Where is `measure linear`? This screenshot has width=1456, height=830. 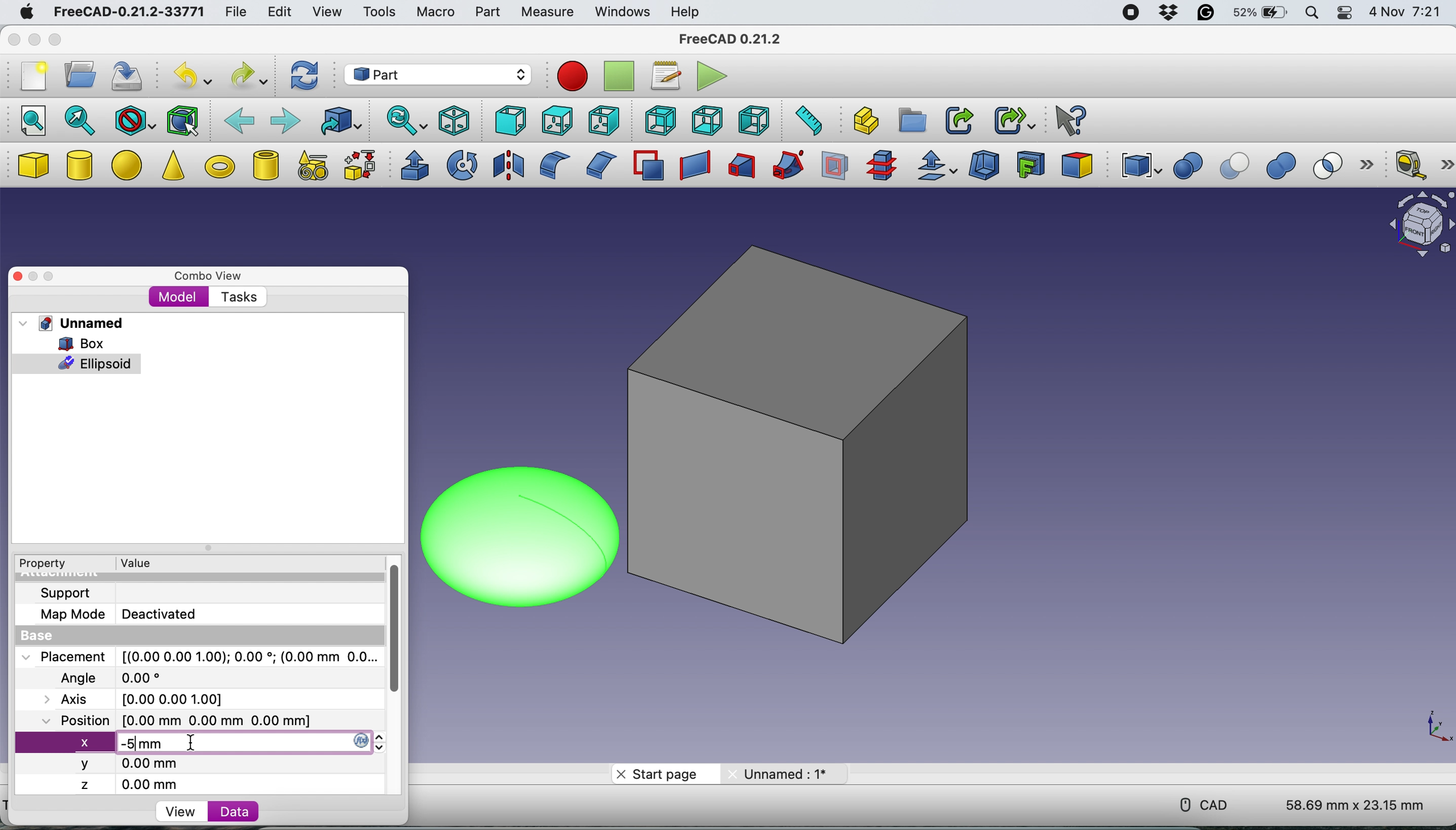 measure linear is located at coordinates (1409, 164).